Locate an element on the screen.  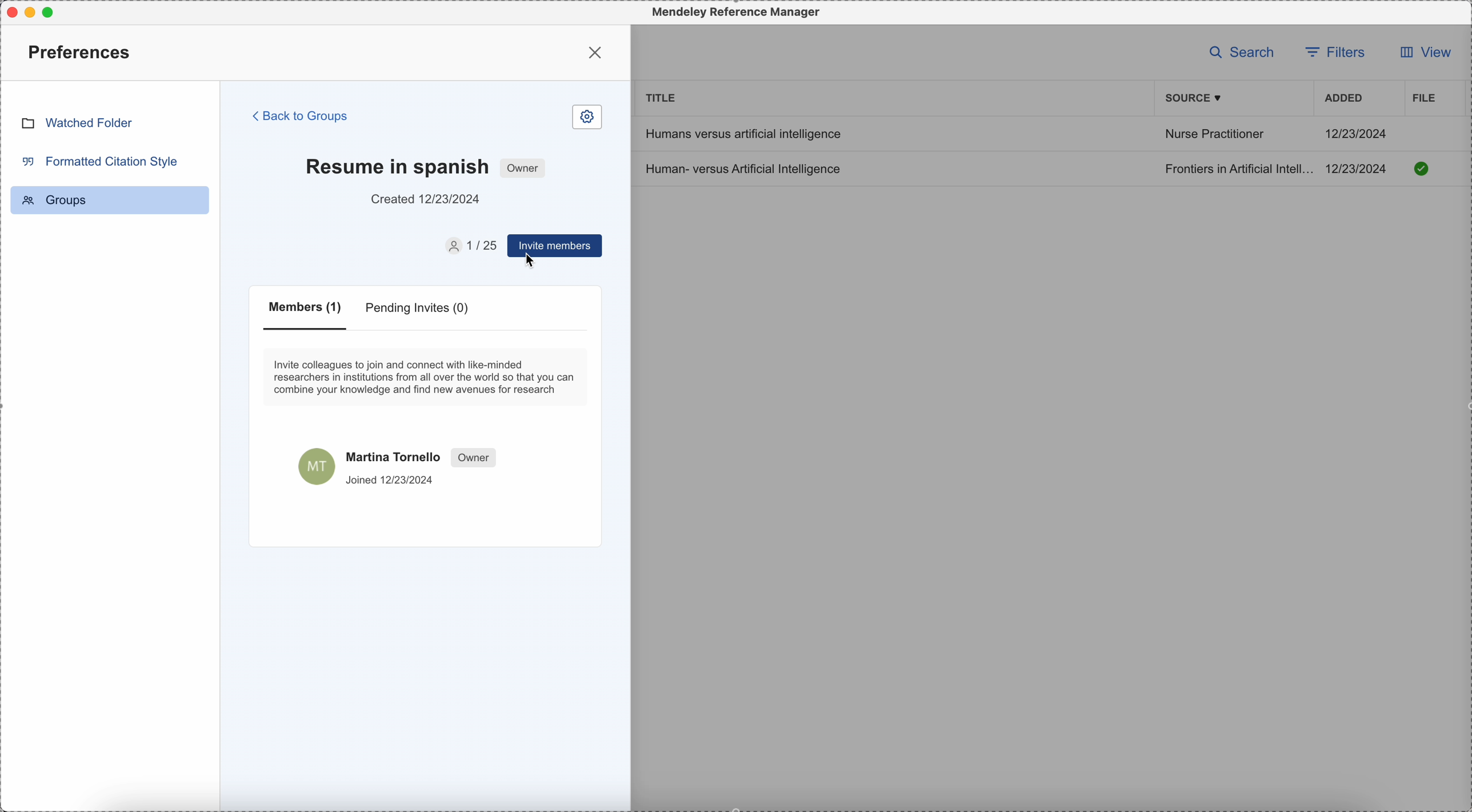
minimize is located at coordinates (33, 12).